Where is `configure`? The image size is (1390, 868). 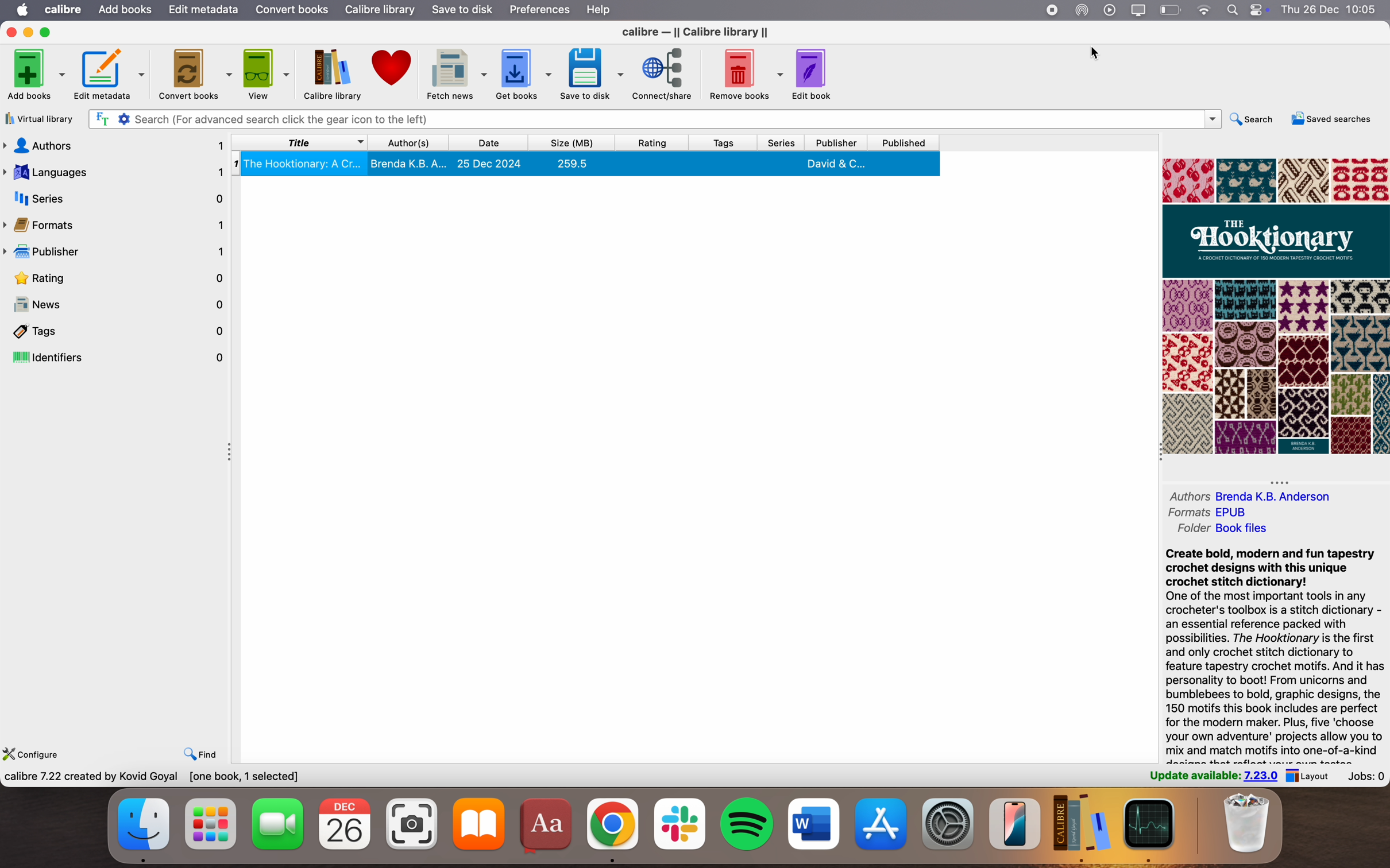 configure is located at coordinates (32, 753).